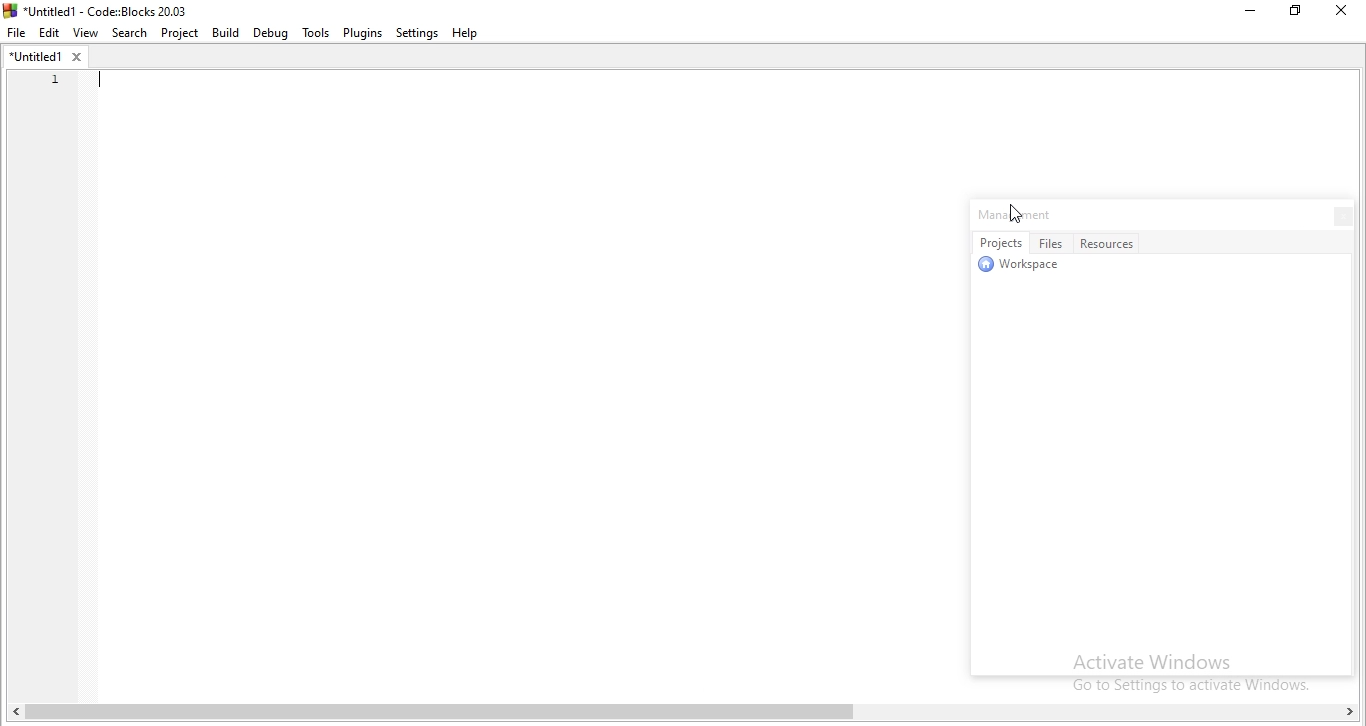 Image resolution: width=1366 pixels, height=726 pixels. What do you see at coordinates (362, 34) in the screenshot?
I see `Plugins ` at bounding box center [362, 34].